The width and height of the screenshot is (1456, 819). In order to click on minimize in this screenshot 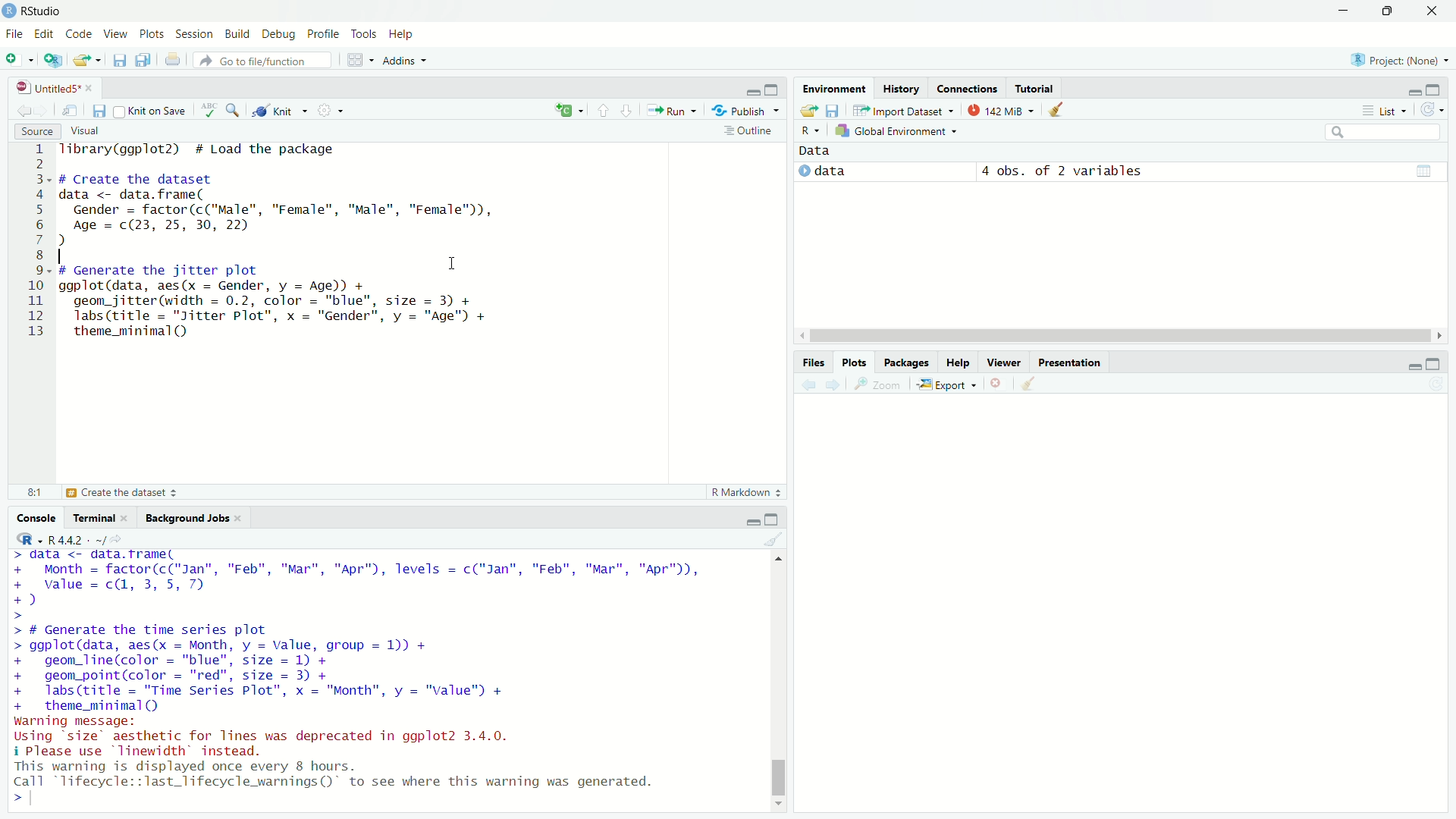, I will do `click(752, 88)`.